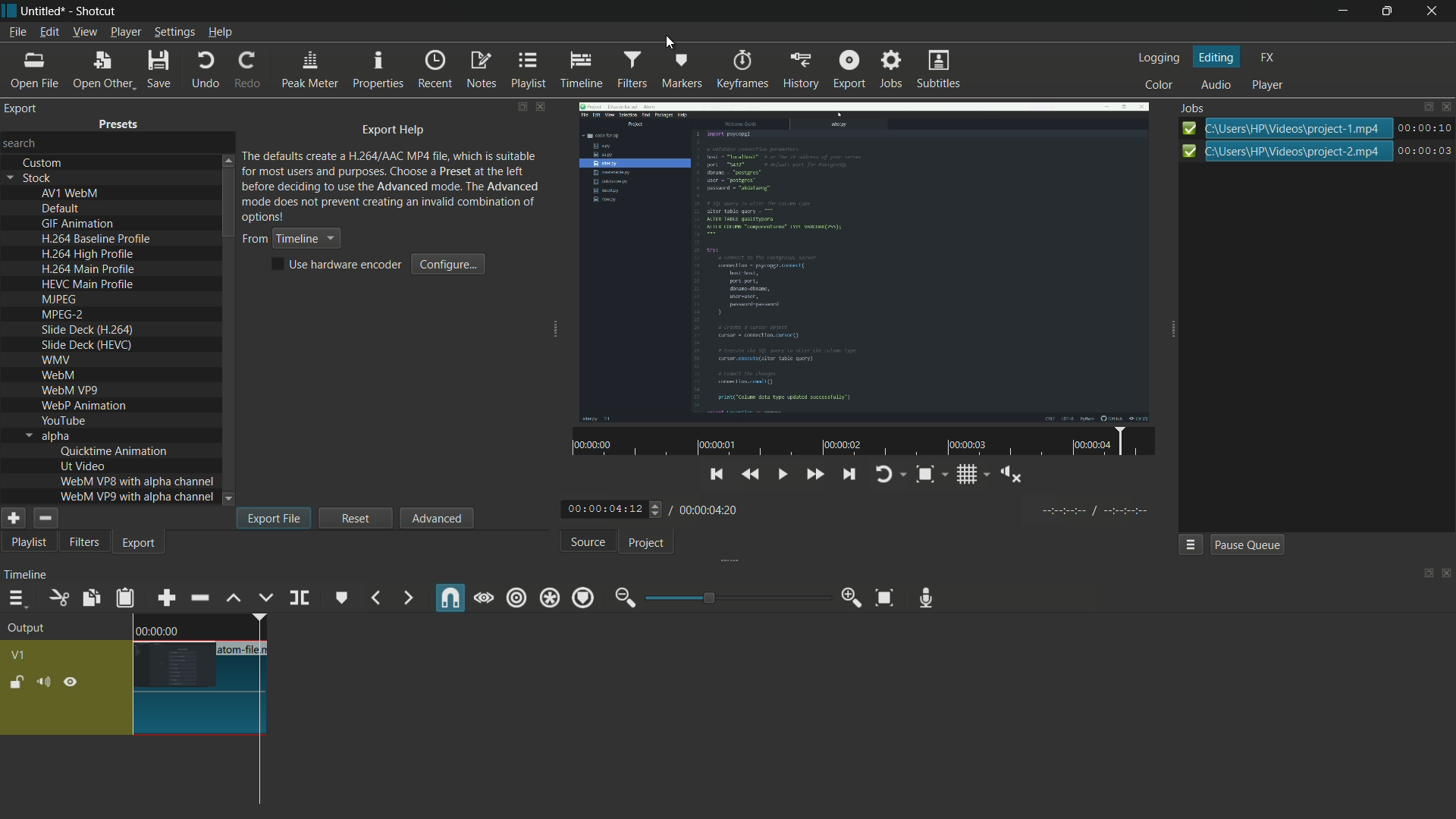  What do you see at coordinates (392, 185) in the screenshot?
I see `text` at bounding box center [392, 185].